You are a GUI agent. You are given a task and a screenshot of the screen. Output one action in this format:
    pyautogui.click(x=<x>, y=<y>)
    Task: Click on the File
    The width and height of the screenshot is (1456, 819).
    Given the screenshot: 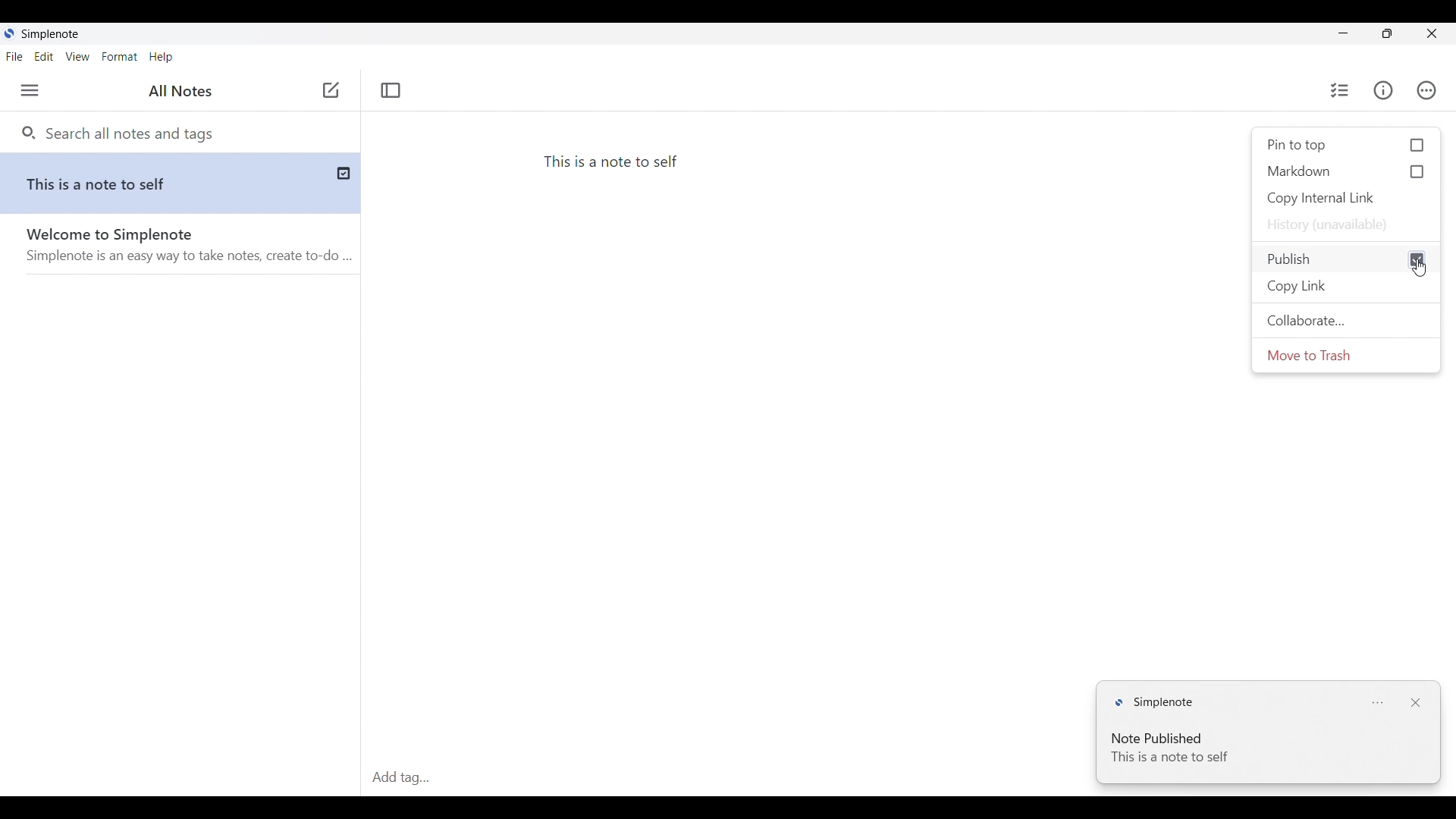 What is the action you would take?
    pyautogui.click(x=14, y=57)
    